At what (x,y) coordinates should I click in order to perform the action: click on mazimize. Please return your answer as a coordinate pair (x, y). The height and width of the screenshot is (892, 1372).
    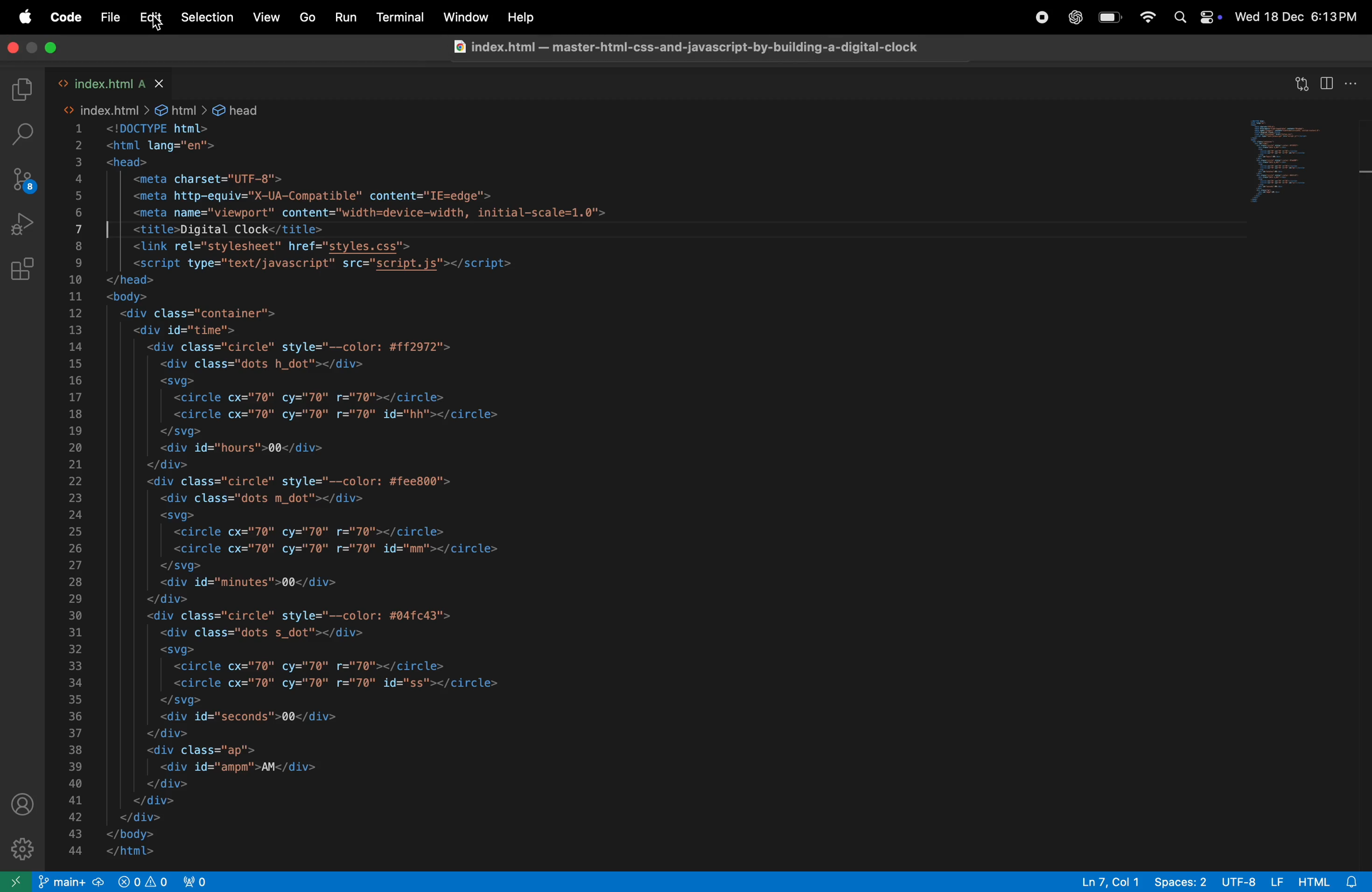
    Looking at the image, I should click on (49, 49).